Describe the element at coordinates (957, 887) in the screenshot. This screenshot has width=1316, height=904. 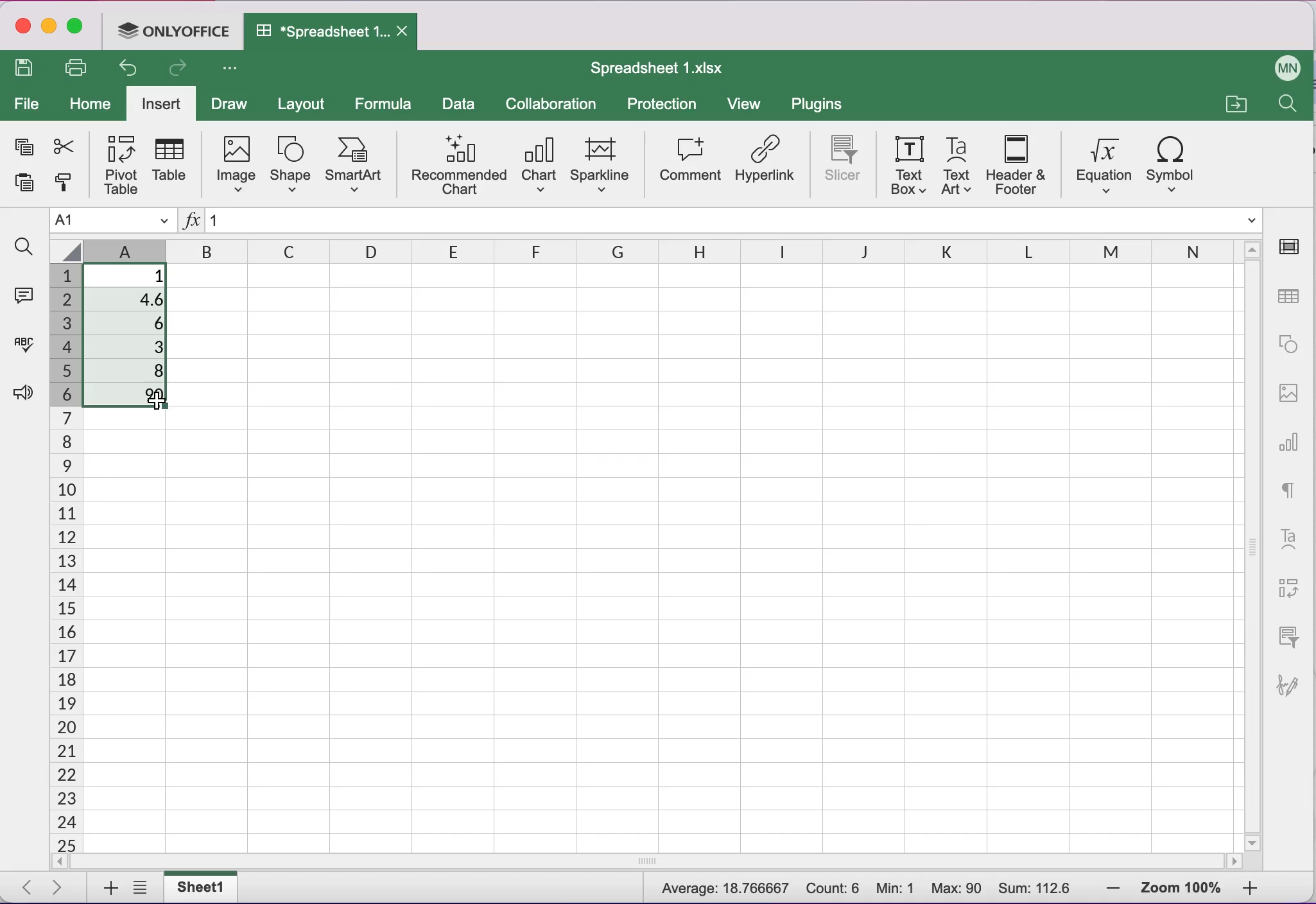
I see `Max: 90` at that location.